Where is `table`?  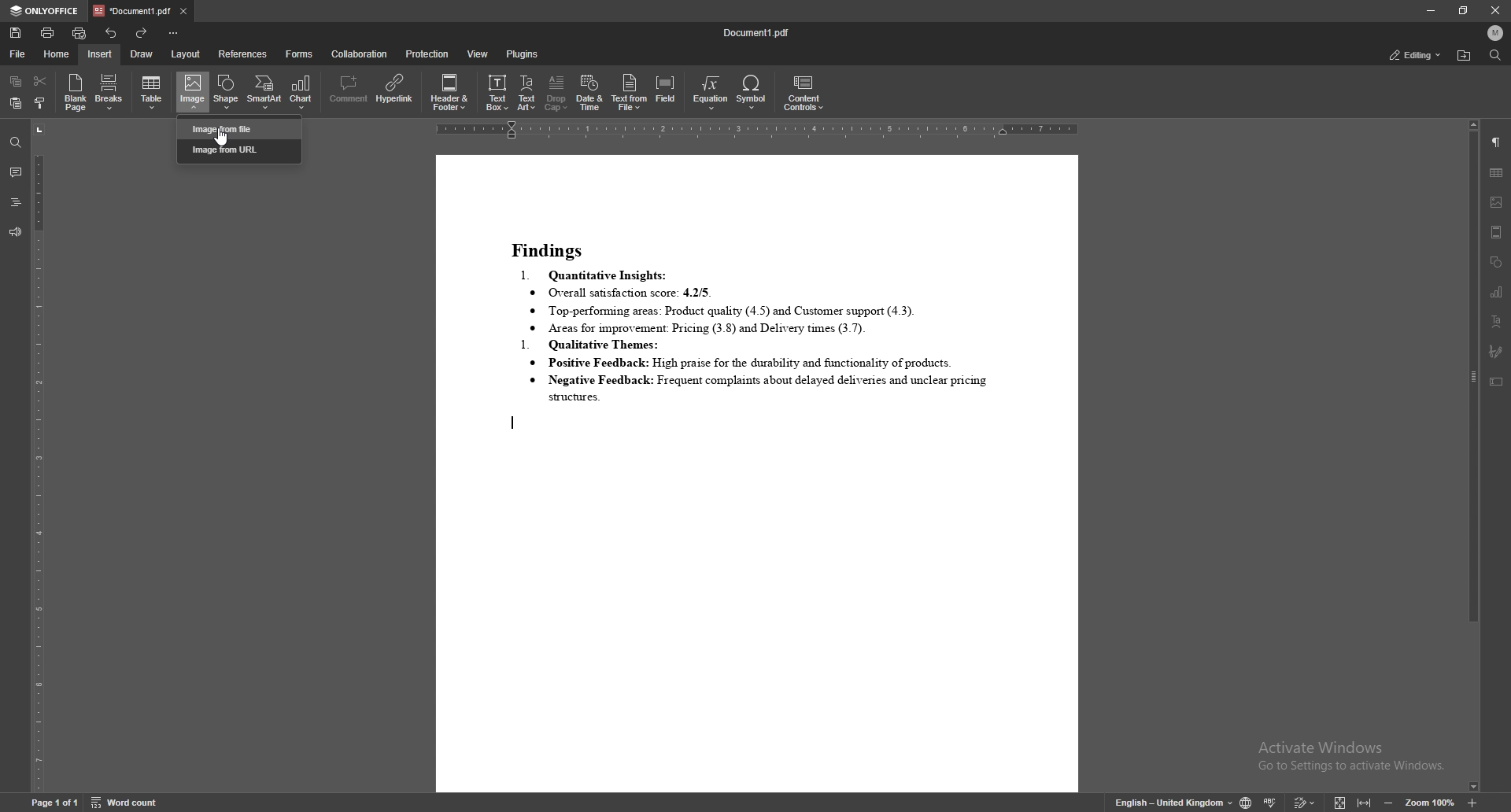
table is located at coordinates (1497, 173).